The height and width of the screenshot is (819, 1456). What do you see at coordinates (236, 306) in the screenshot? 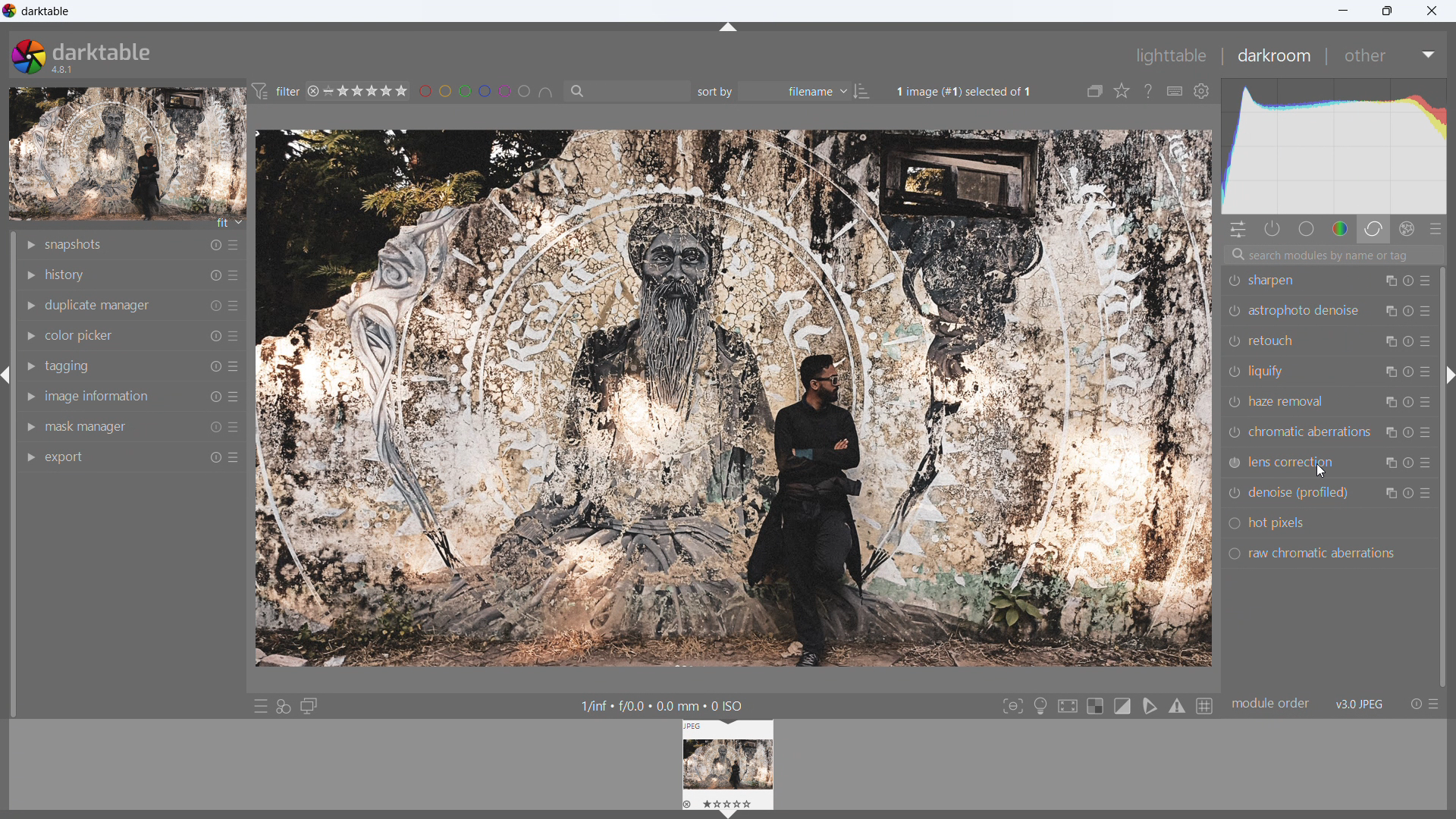
I see `more options` at bounding box center [236, 306].